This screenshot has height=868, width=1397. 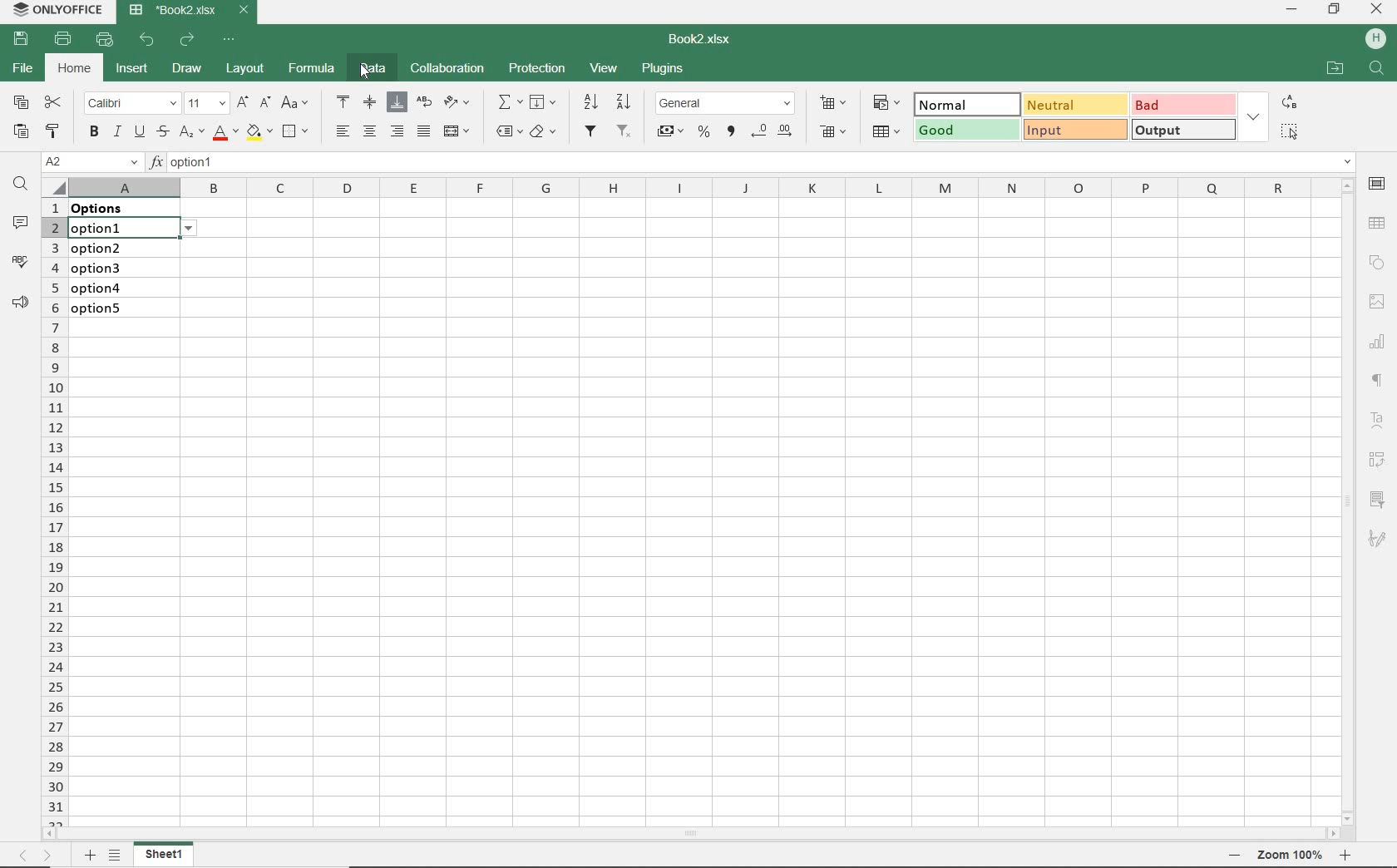 I want to click on FONT COLOR, so click(x=224, y=134).